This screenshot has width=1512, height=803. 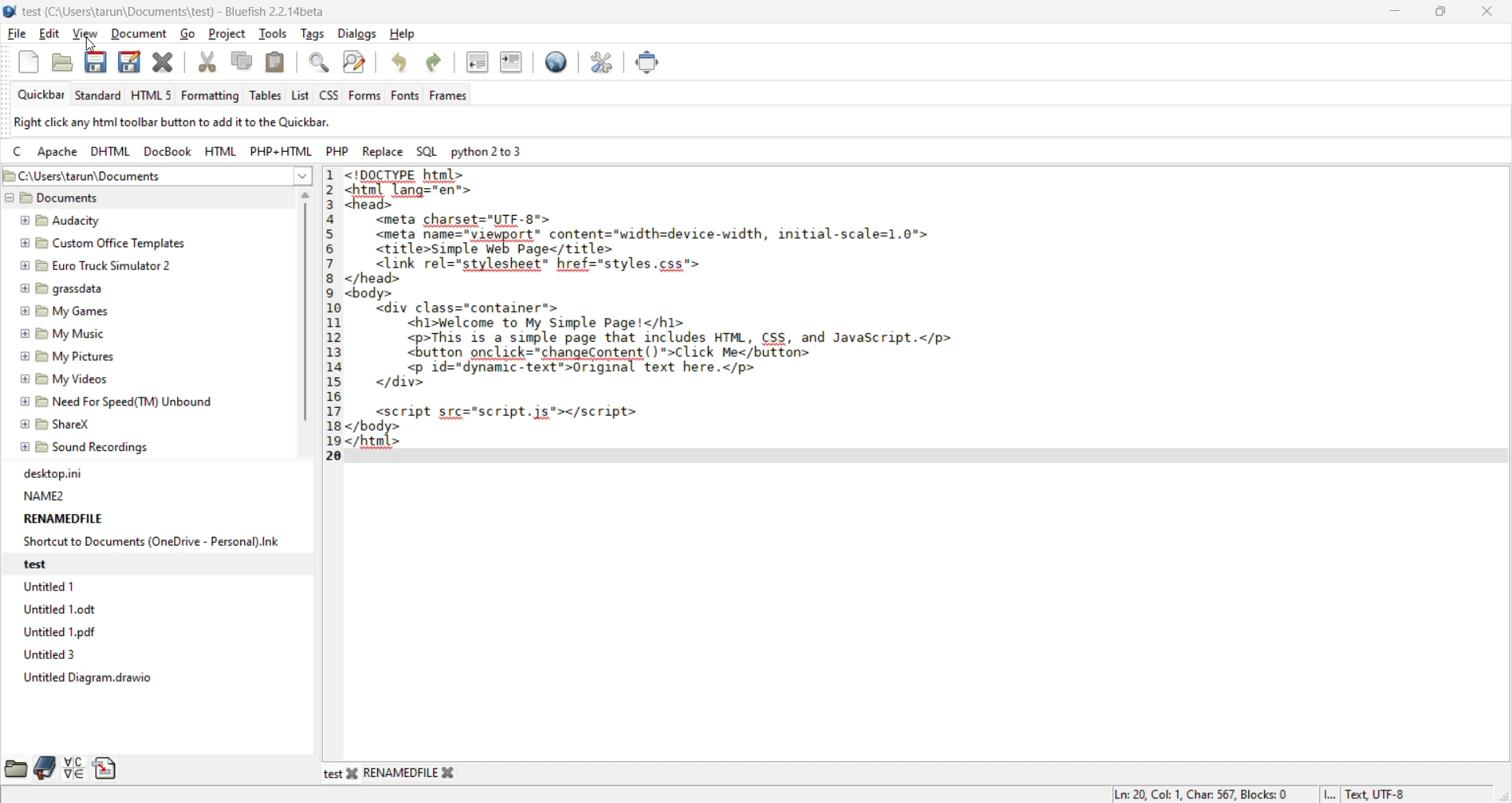 What do you see at coordinates (604, 67) in the screenshot?
I see `edit in preferences` at bounding box center [604, 67].